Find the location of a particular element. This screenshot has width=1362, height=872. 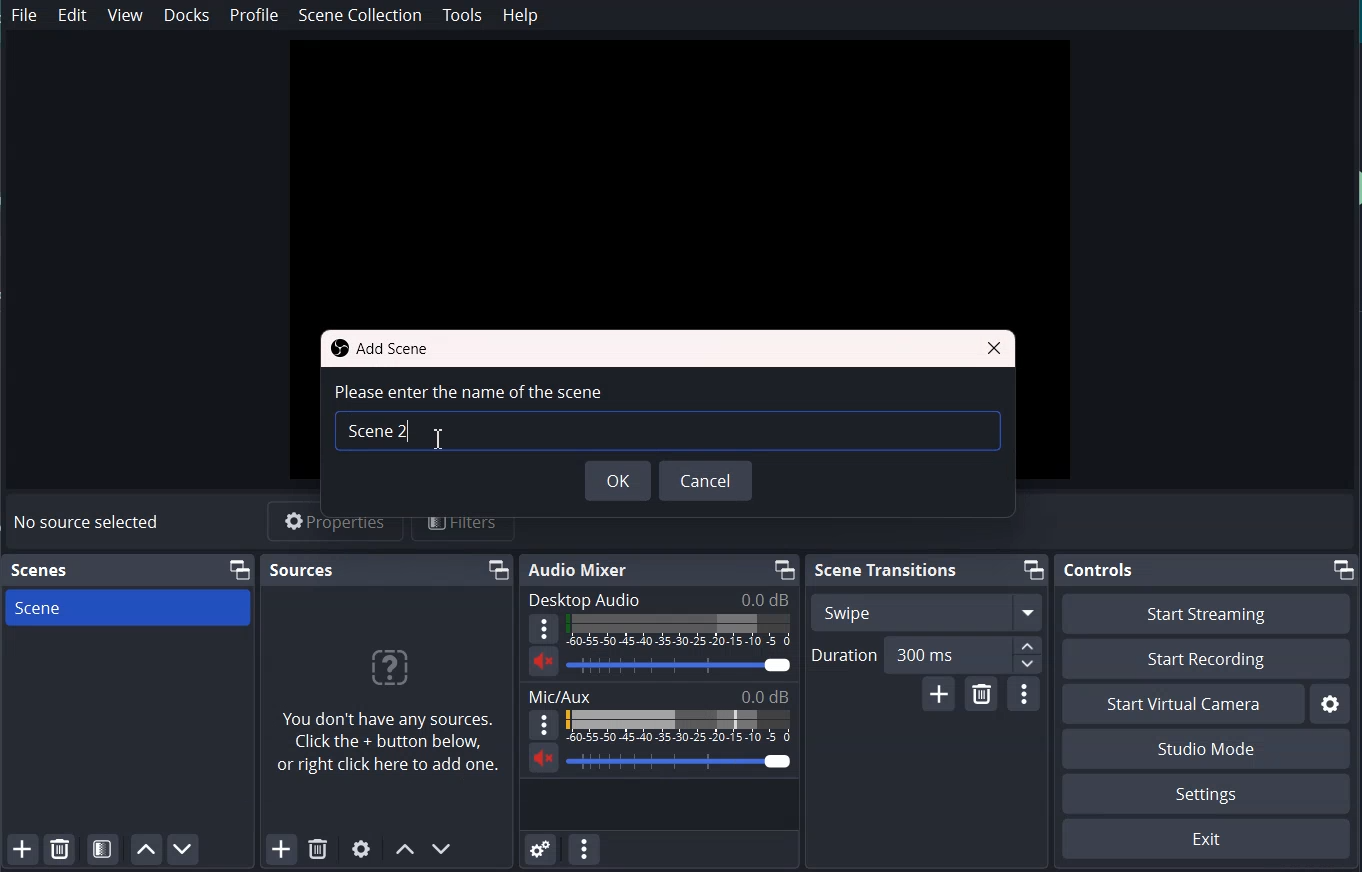

Studio Mode is located at coordinates (1207, 748).